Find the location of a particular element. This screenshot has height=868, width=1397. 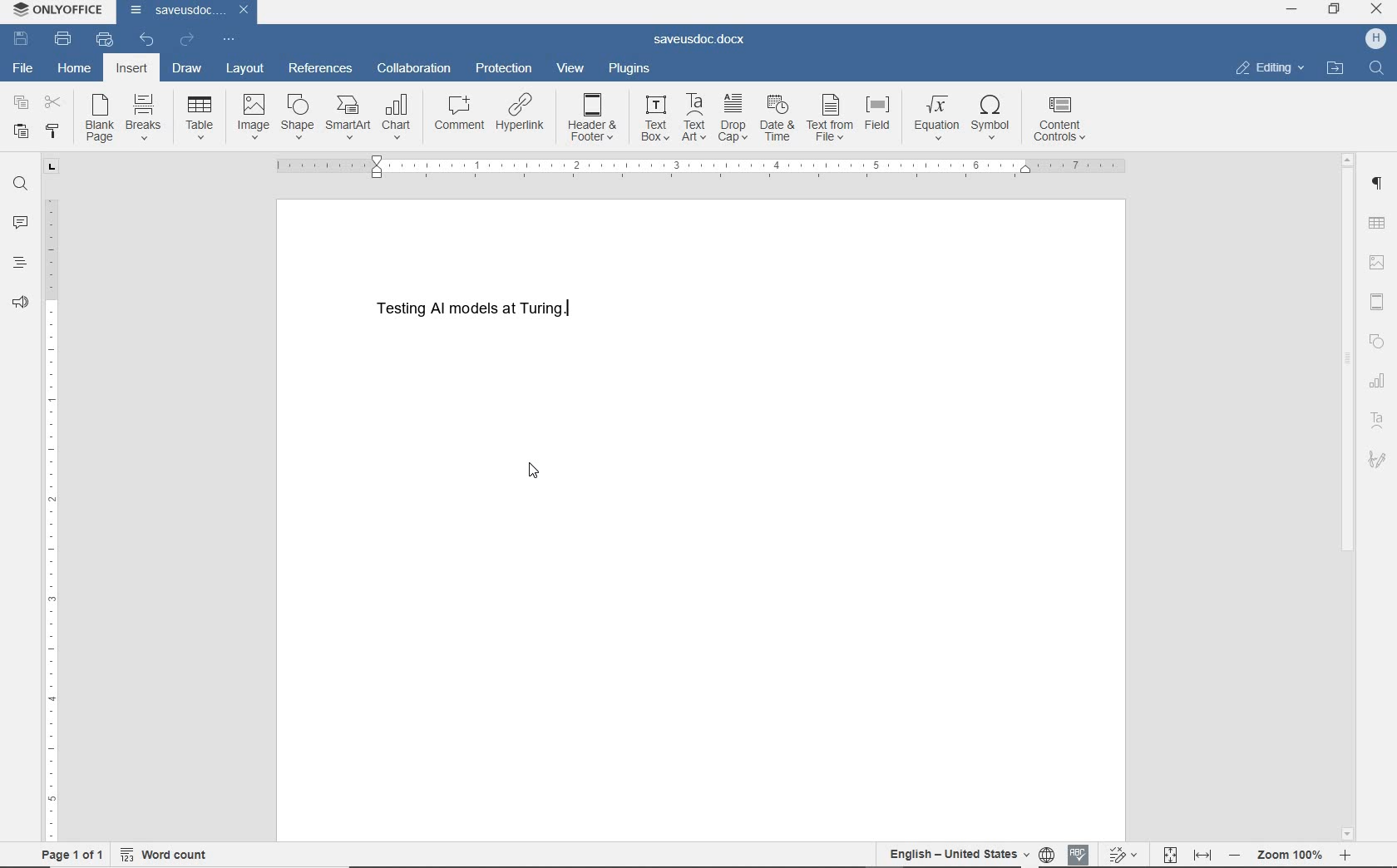

print file is located at coordinates (62, 42).